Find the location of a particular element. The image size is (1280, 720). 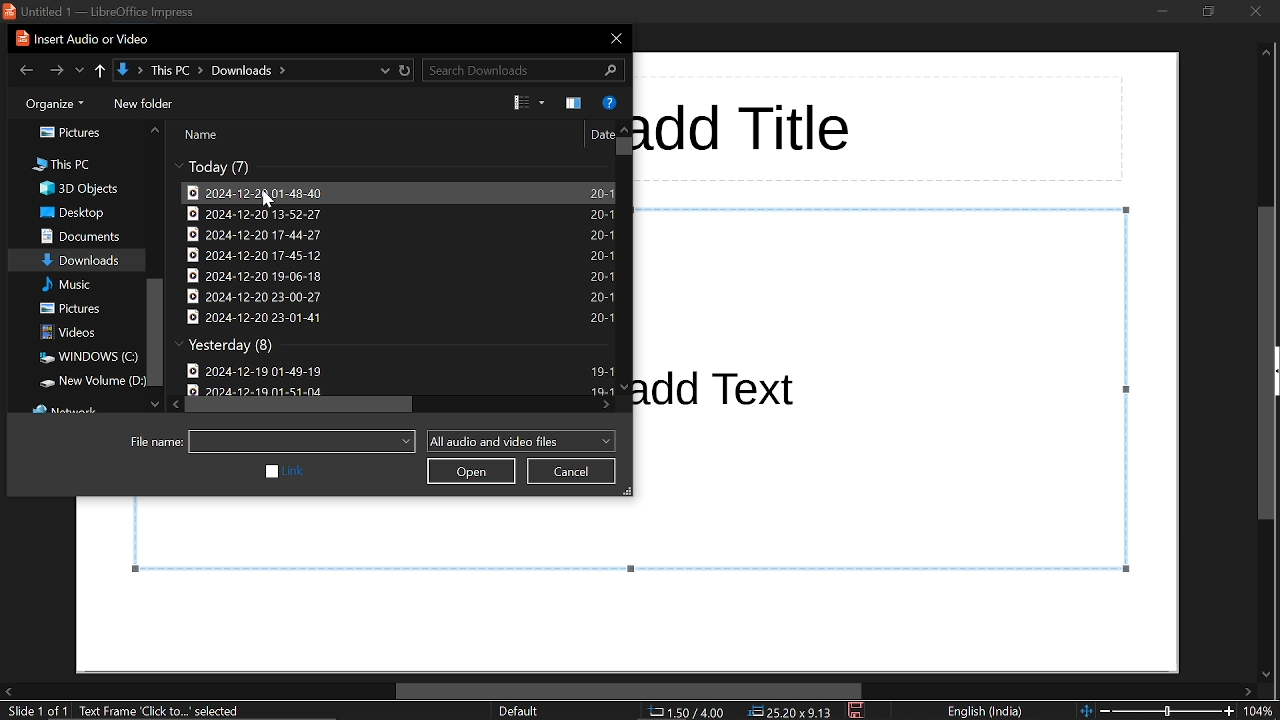

file titled "2024-12-20 17-44-27" is located at coordinates (396, 235).